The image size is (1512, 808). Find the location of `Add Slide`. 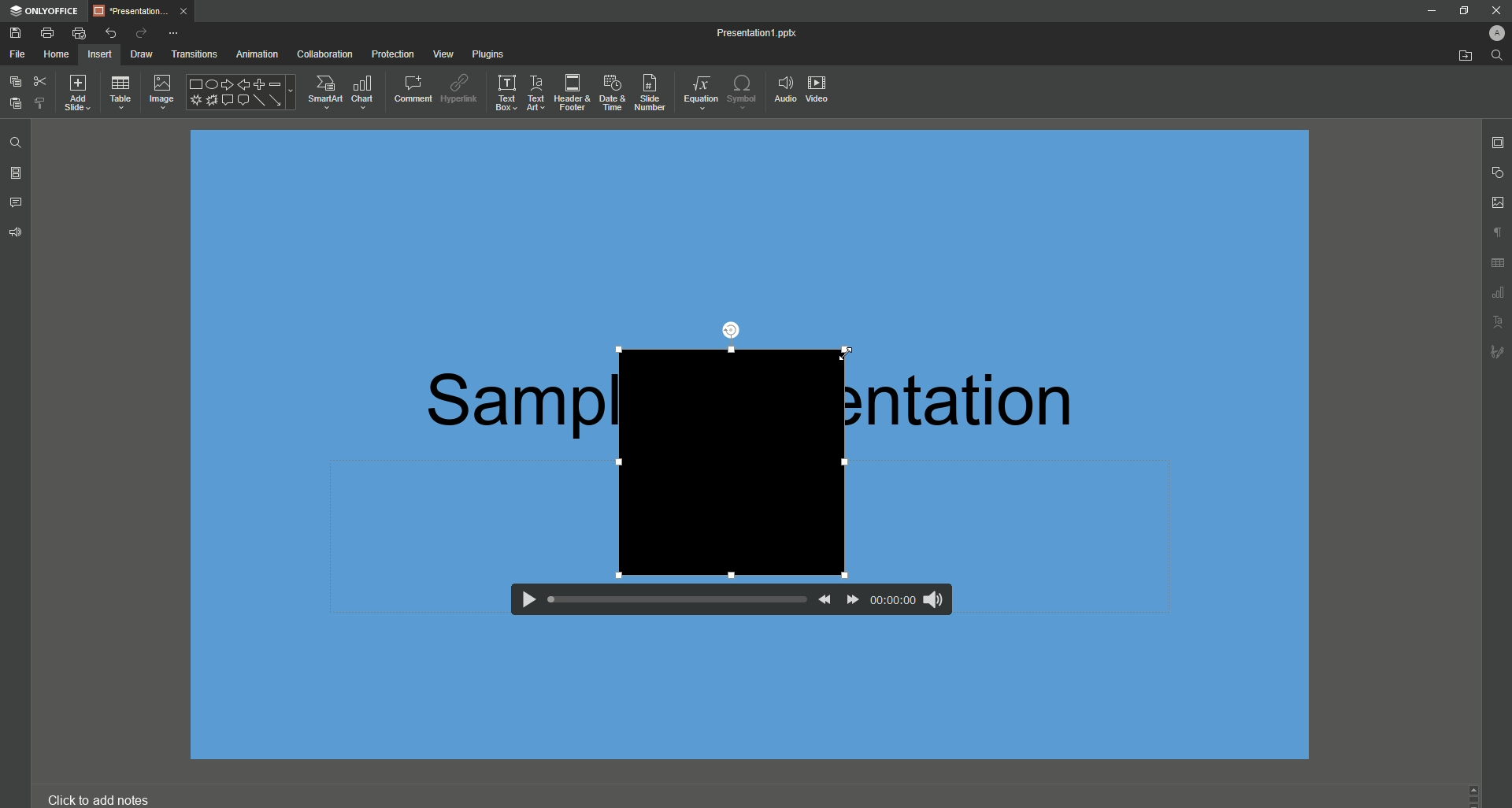

Add Slide is located at coordinates (77, 91).